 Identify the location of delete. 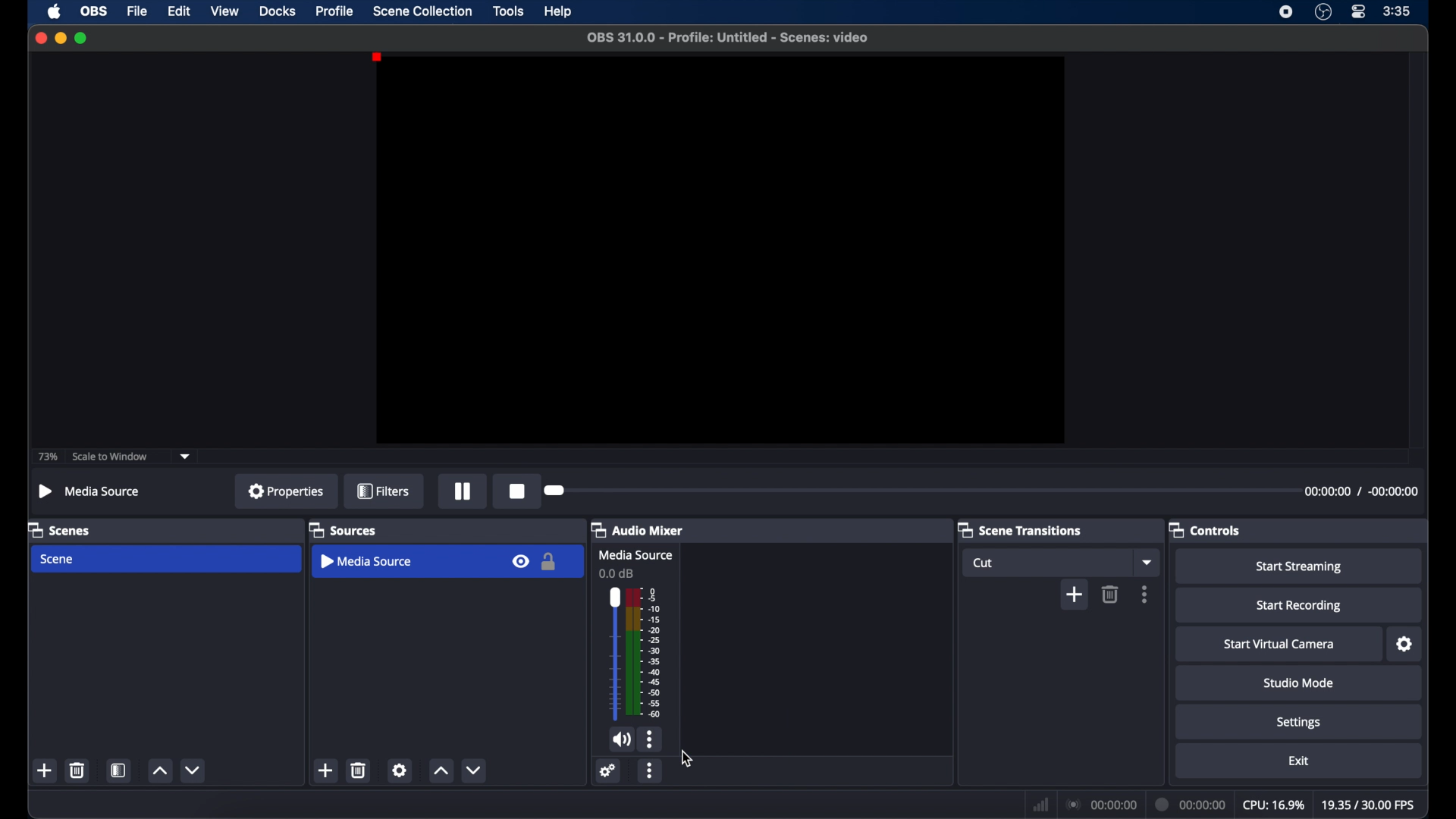
(78, 770).